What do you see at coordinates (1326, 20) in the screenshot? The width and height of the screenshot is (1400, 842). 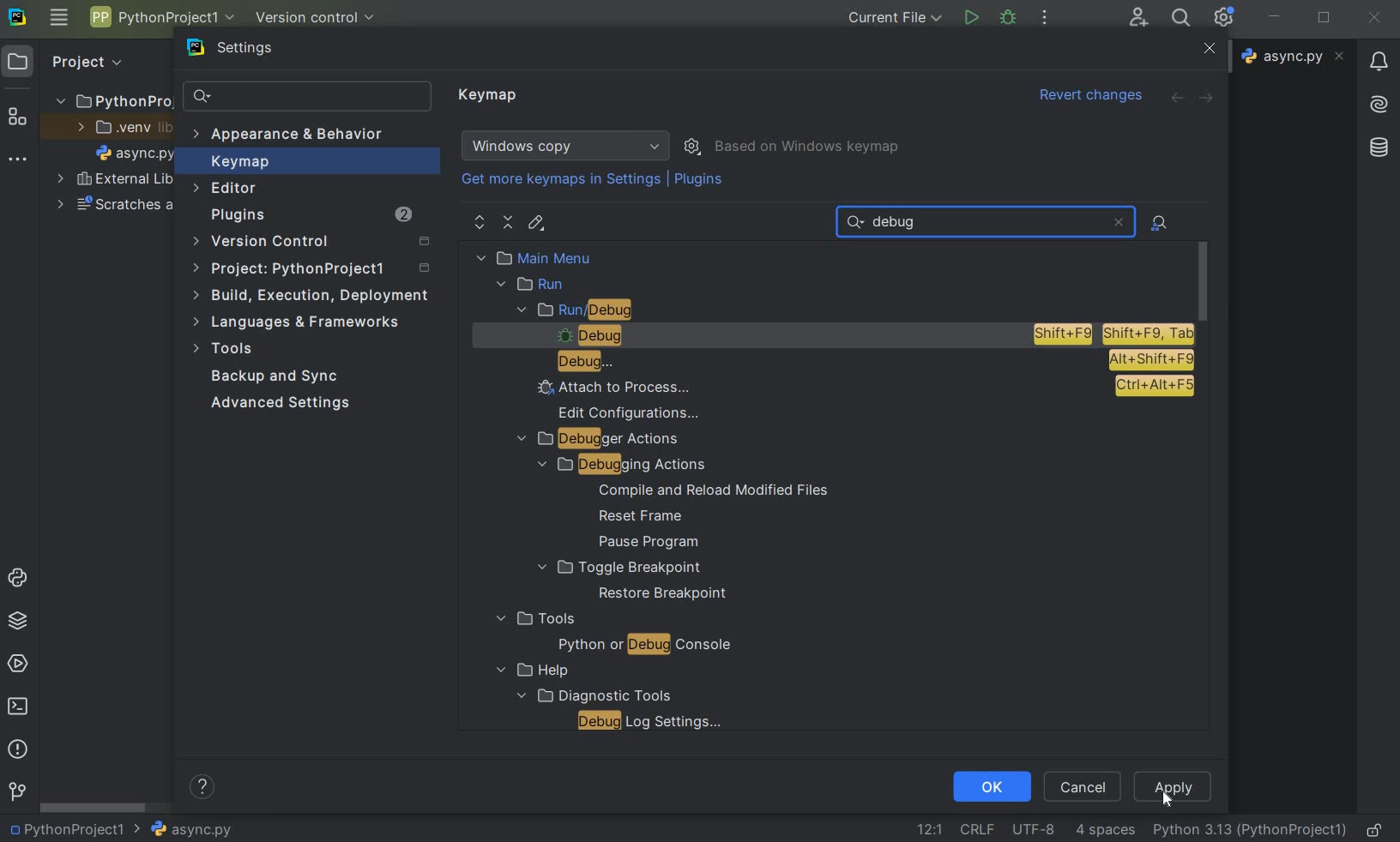 I see `restore down` at bounding box center [1326, 20].